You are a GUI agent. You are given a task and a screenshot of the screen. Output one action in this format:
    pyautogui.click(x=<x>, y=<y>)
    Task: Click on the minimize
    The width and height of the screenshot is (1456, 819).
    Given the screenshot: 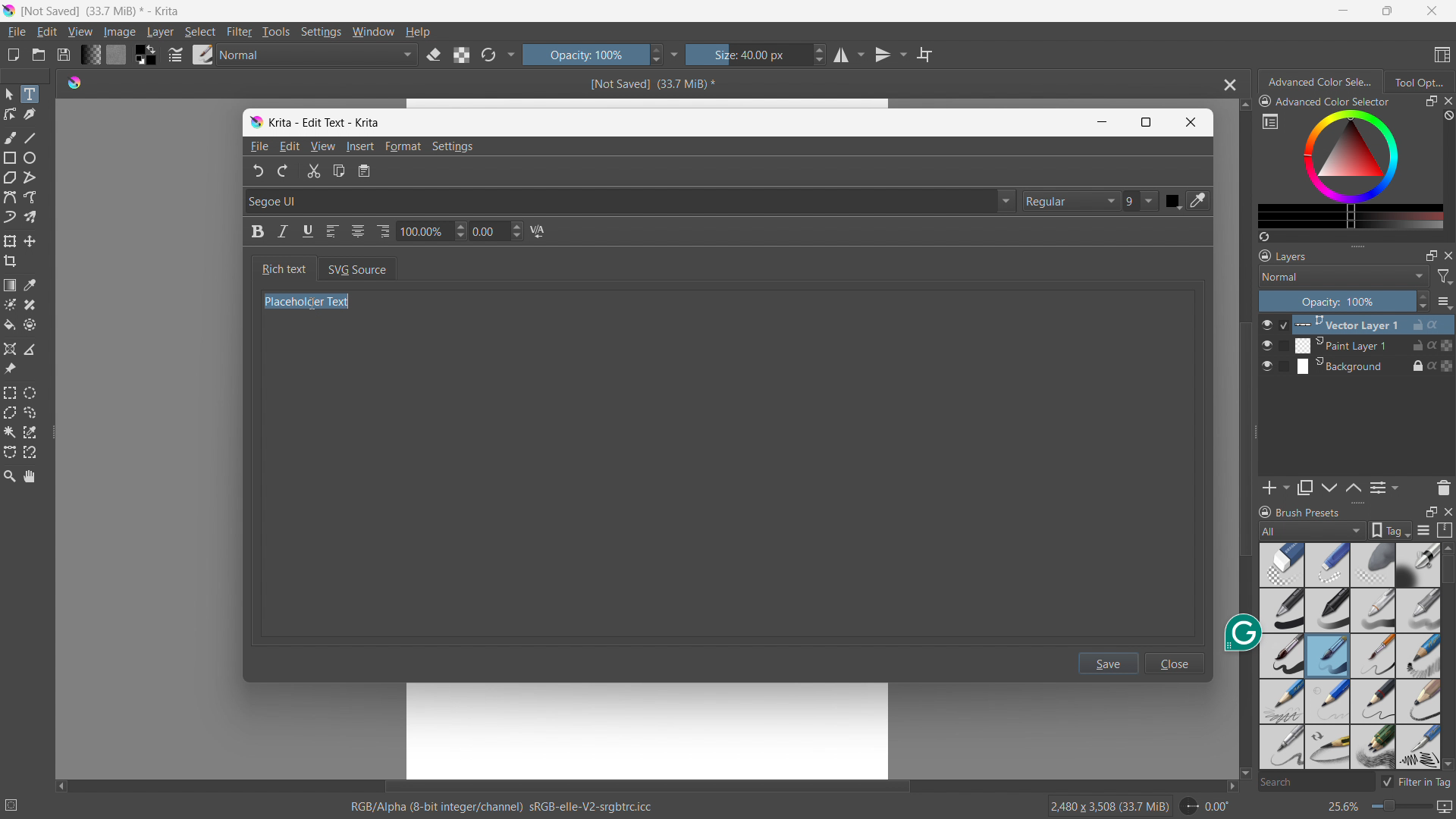 What is the action you would take?
    pyautogui.click(x=1344, y=10)
    